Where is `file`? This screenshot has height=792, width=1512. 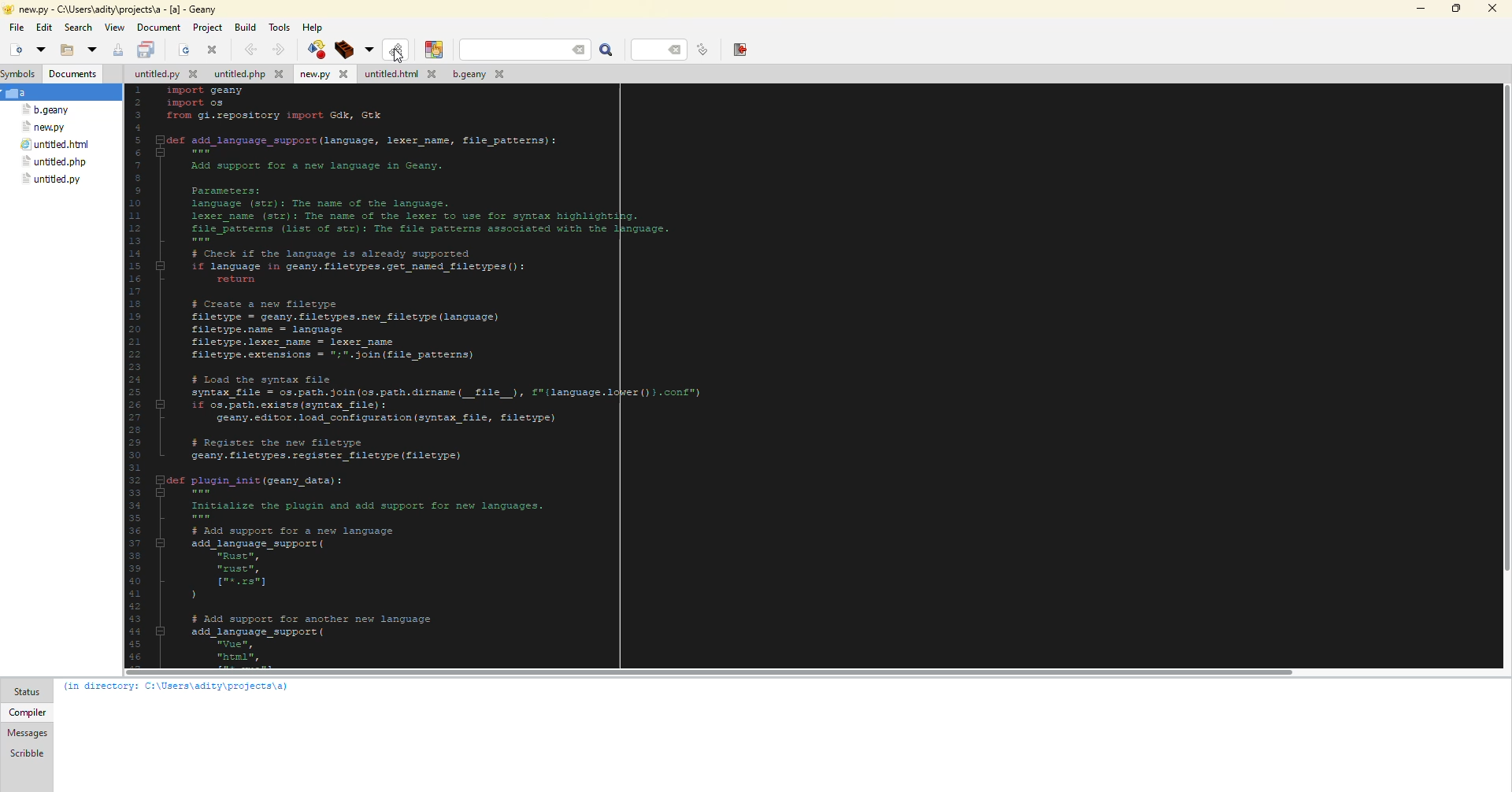 file is located at coordinates (48, 111).